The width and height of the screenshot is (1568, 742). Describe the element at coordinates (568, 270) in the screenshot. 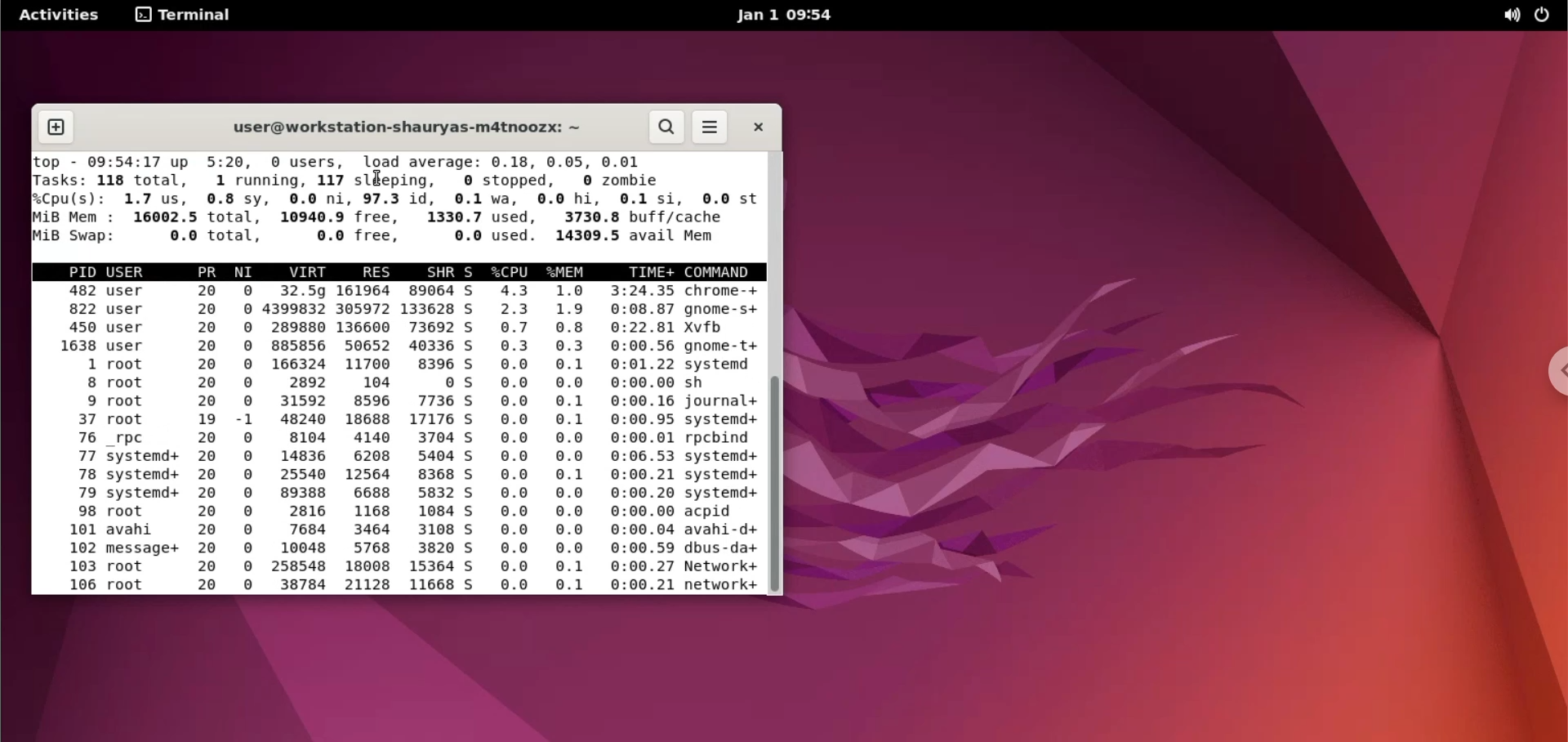

I see `%mem` at that location.